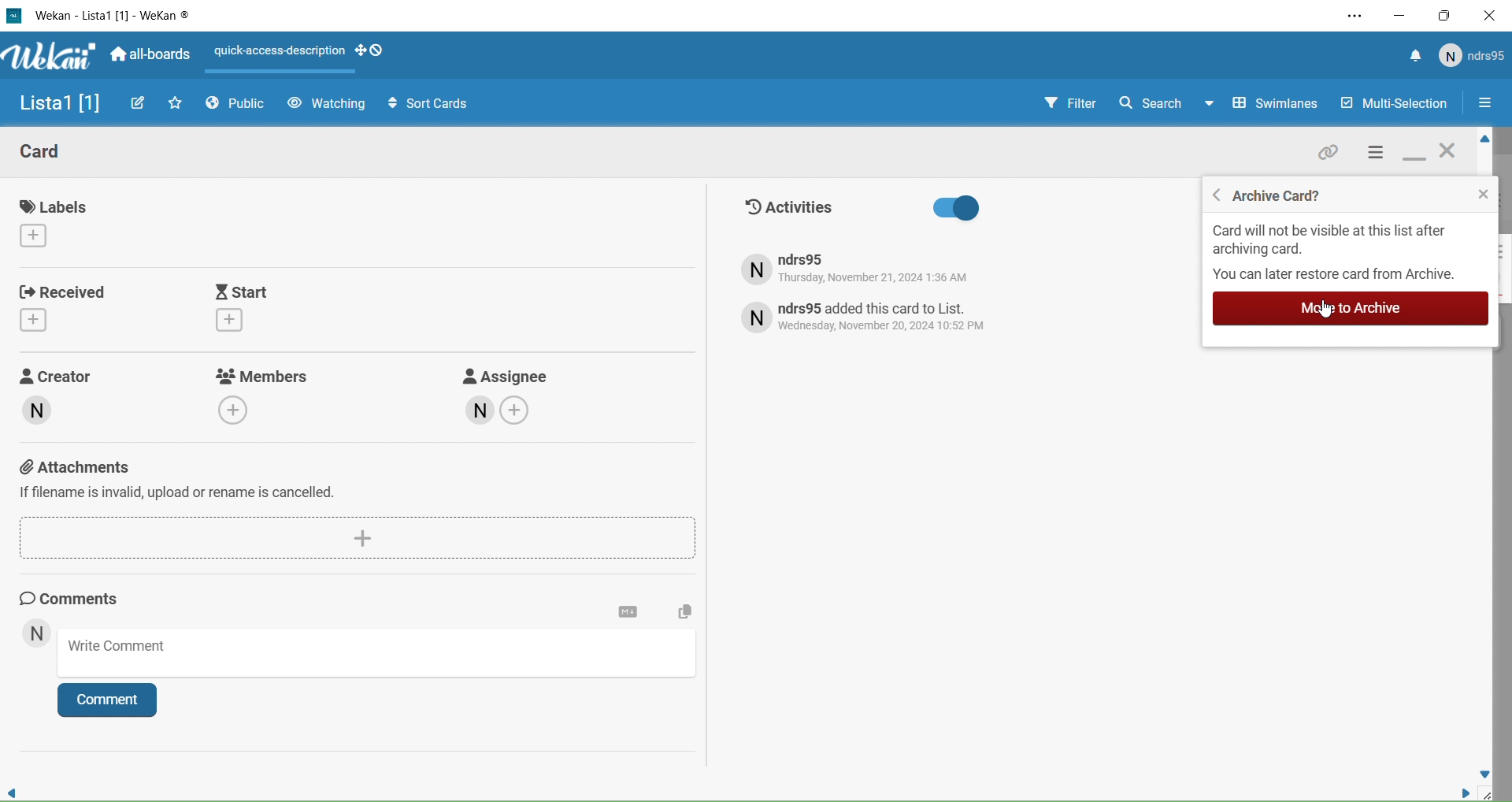 The height and width of the screenshot is (802, 1512). What do you see at coordinates (238, 106) in the screenshot?
I see `Public` at bounding box center [238, 106].